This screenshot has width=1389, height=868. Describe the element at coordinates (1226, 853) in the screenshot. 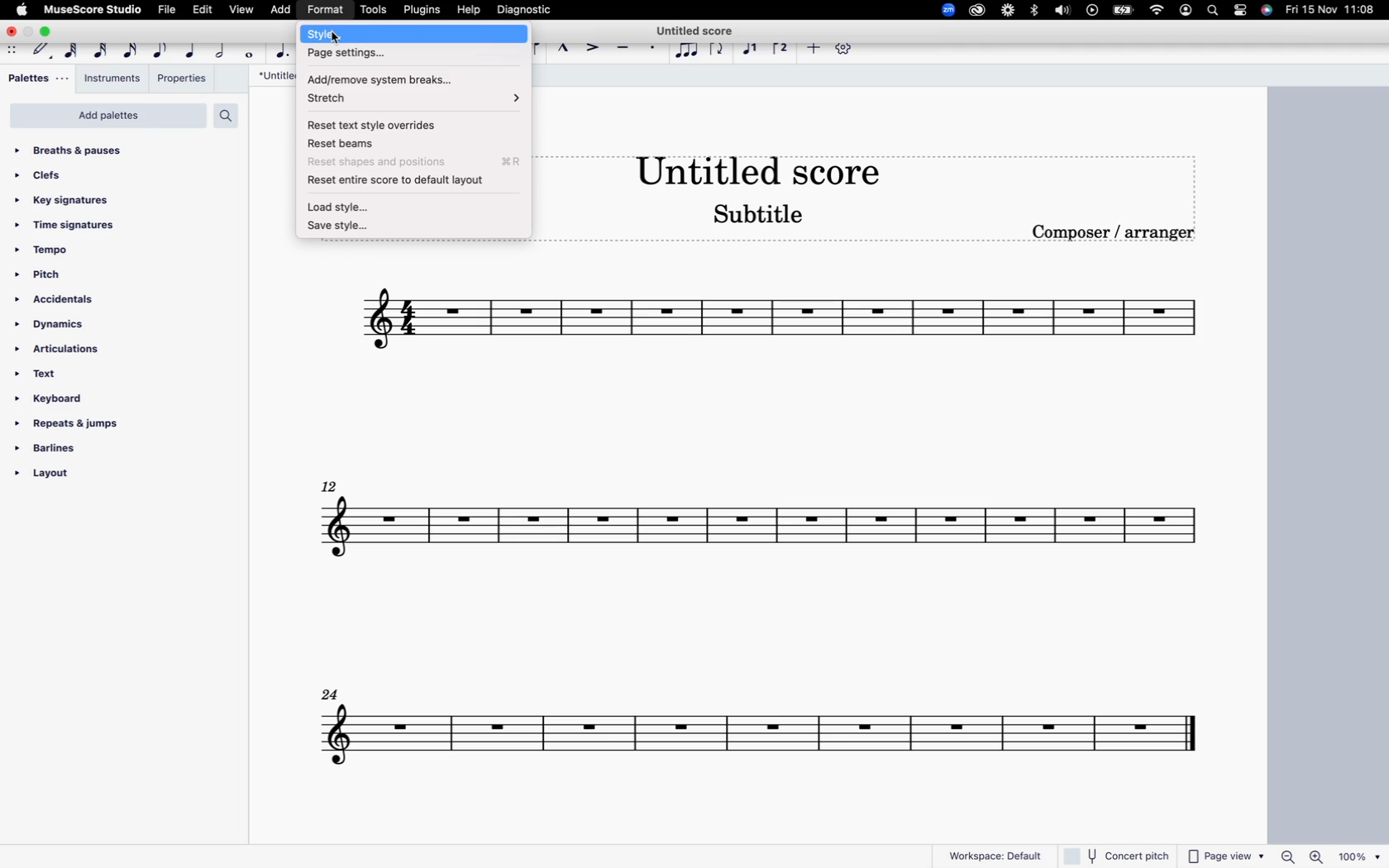

I see `page view` at that location.